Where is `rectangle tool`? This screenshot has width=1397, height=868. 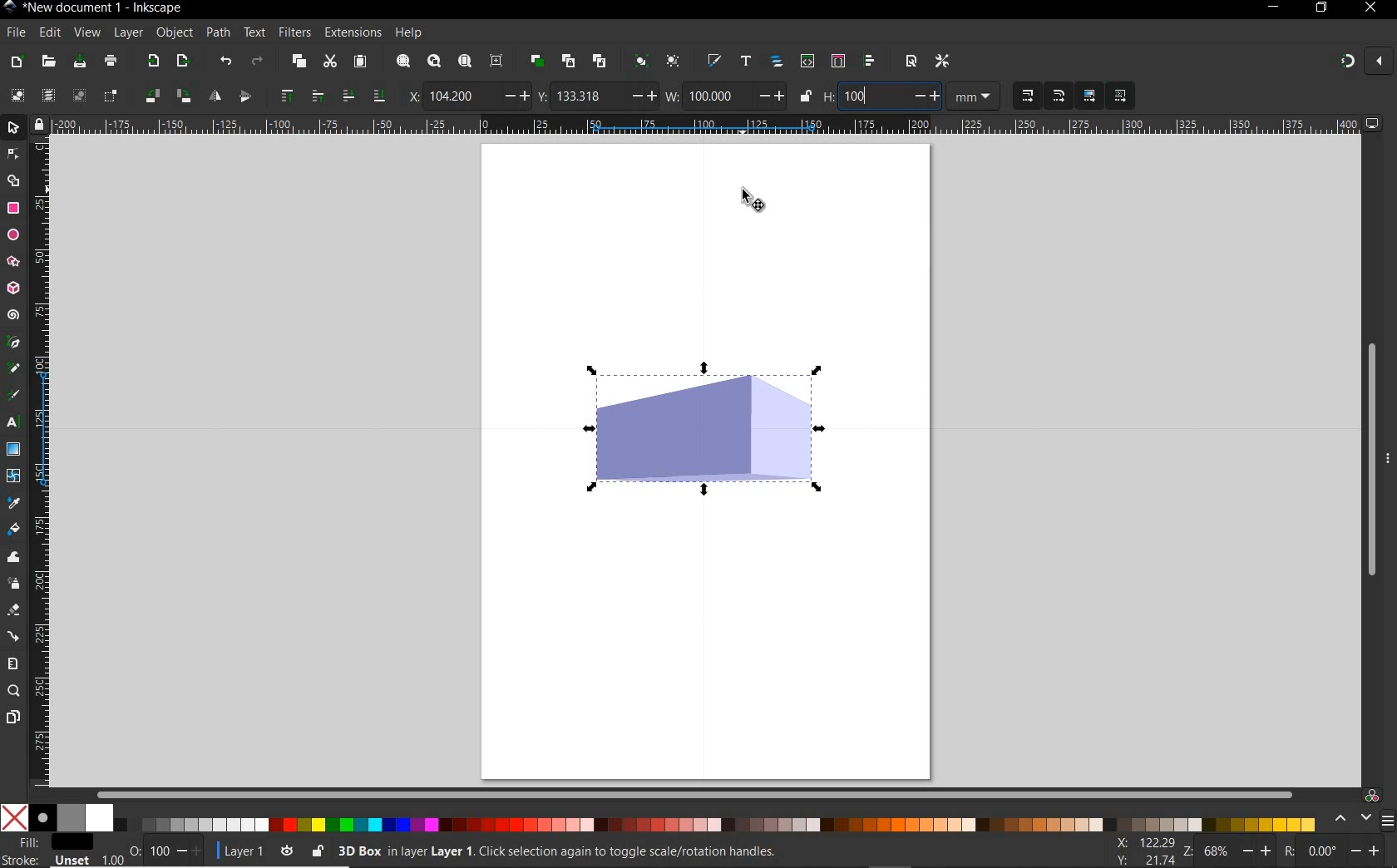 rectangle tool is located at coordinates (13, 209).